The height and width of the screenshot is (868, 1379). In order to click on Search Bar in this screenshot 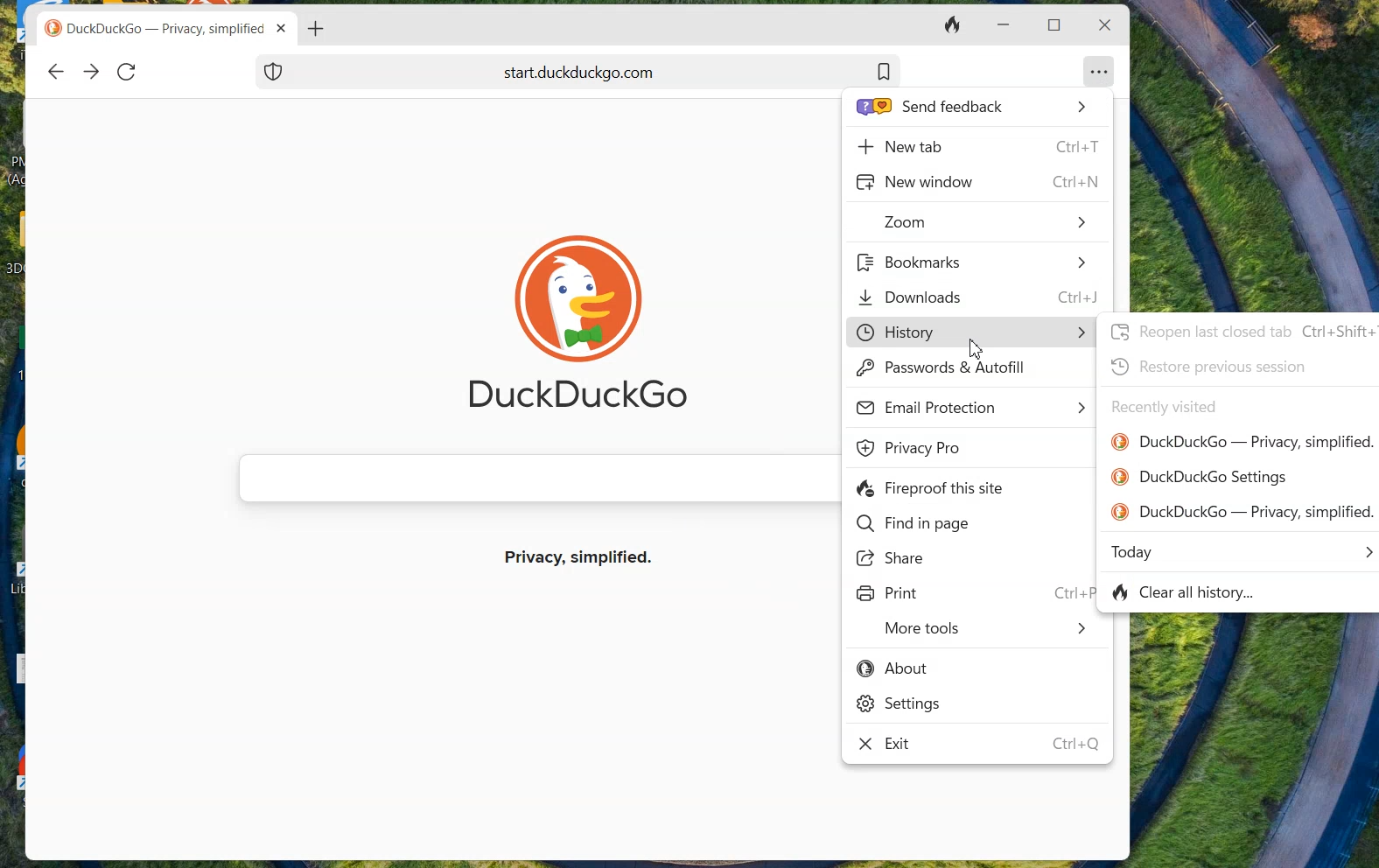, I will do `click(529, 478)`.